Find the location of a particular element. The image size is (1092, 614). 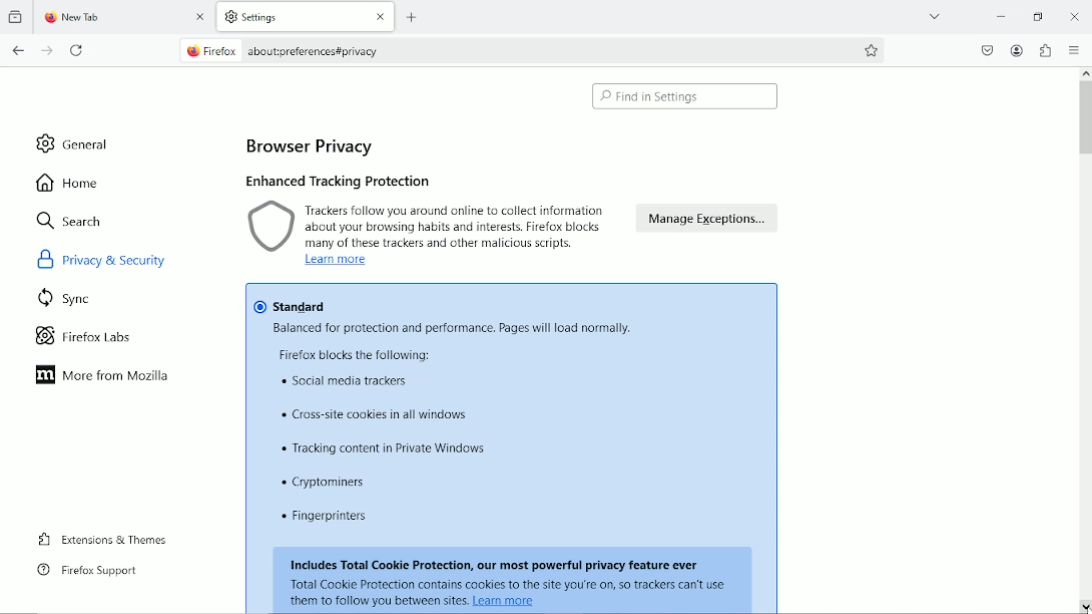

firefox is located at coordinates (224, 52).